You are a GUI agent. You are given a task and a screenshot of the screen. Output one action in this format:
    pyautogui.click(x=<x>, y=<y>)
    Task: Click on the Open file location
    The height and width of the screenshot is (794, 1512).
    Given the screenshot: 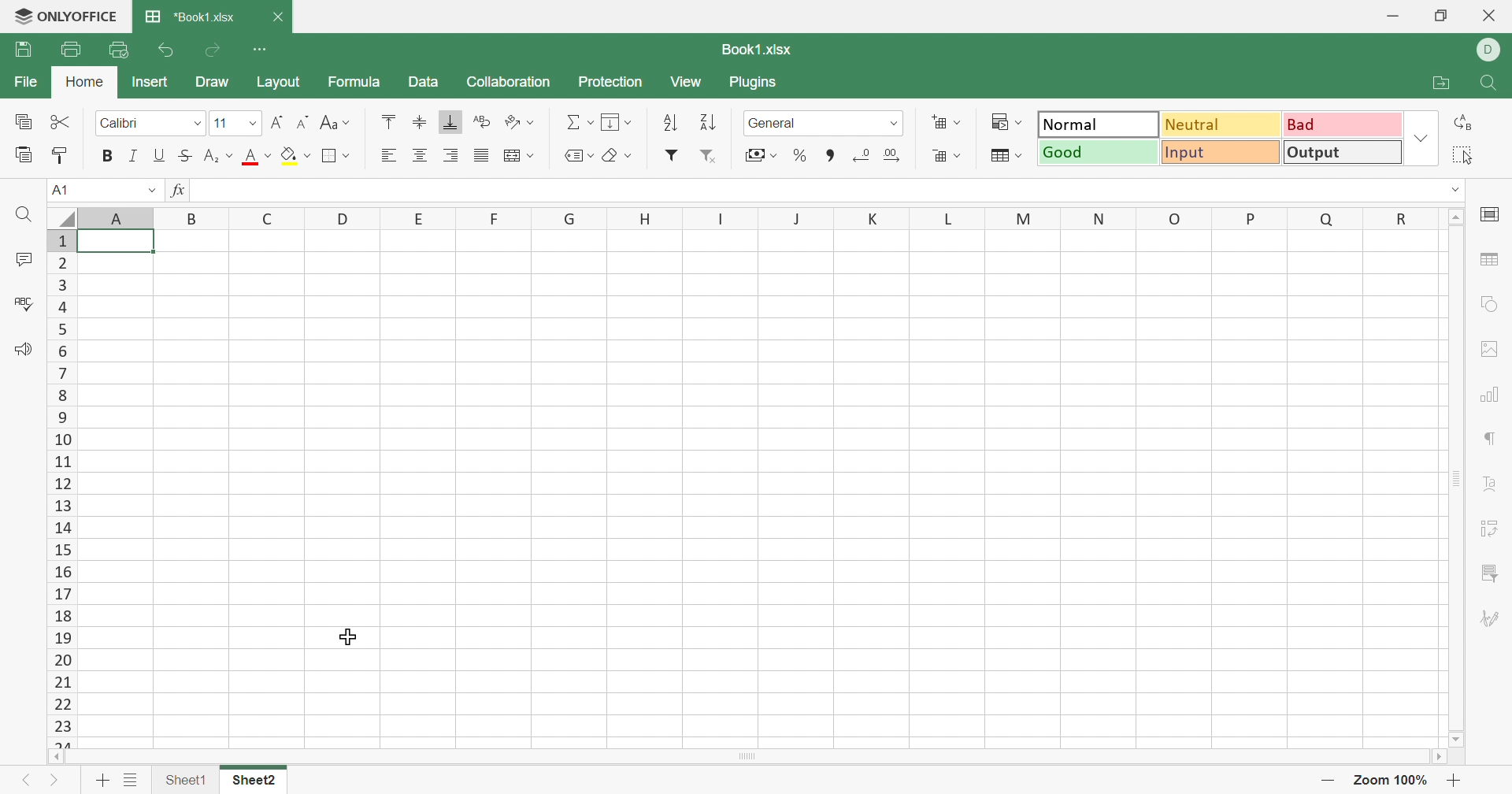 What is the action you would take?
    pyautogui.click(x=1442, y=83)
    